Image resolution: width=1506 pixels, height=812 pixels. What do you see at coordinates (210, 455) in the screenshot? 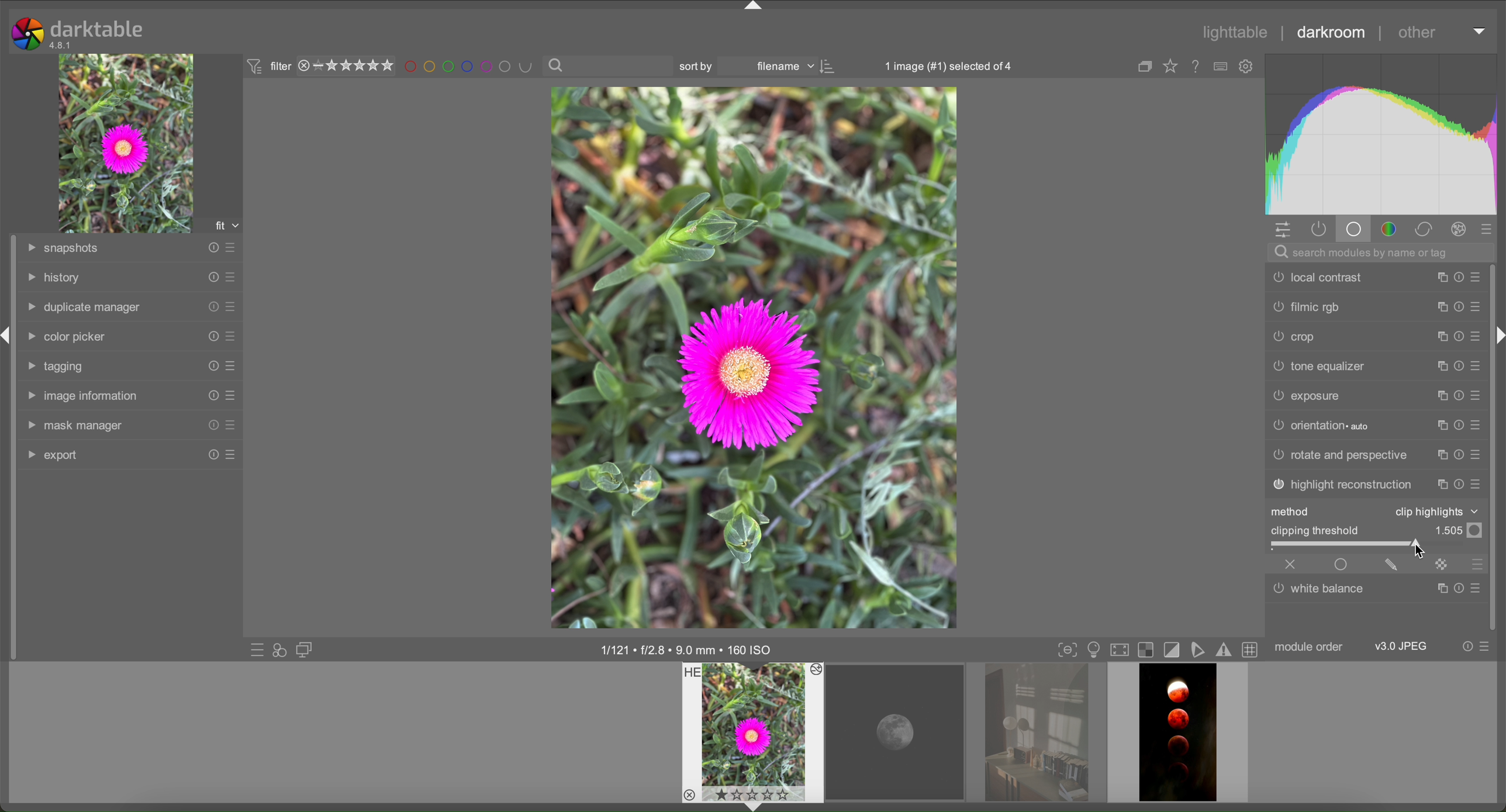
I see `reset presets` at bounding box center [210, 455].